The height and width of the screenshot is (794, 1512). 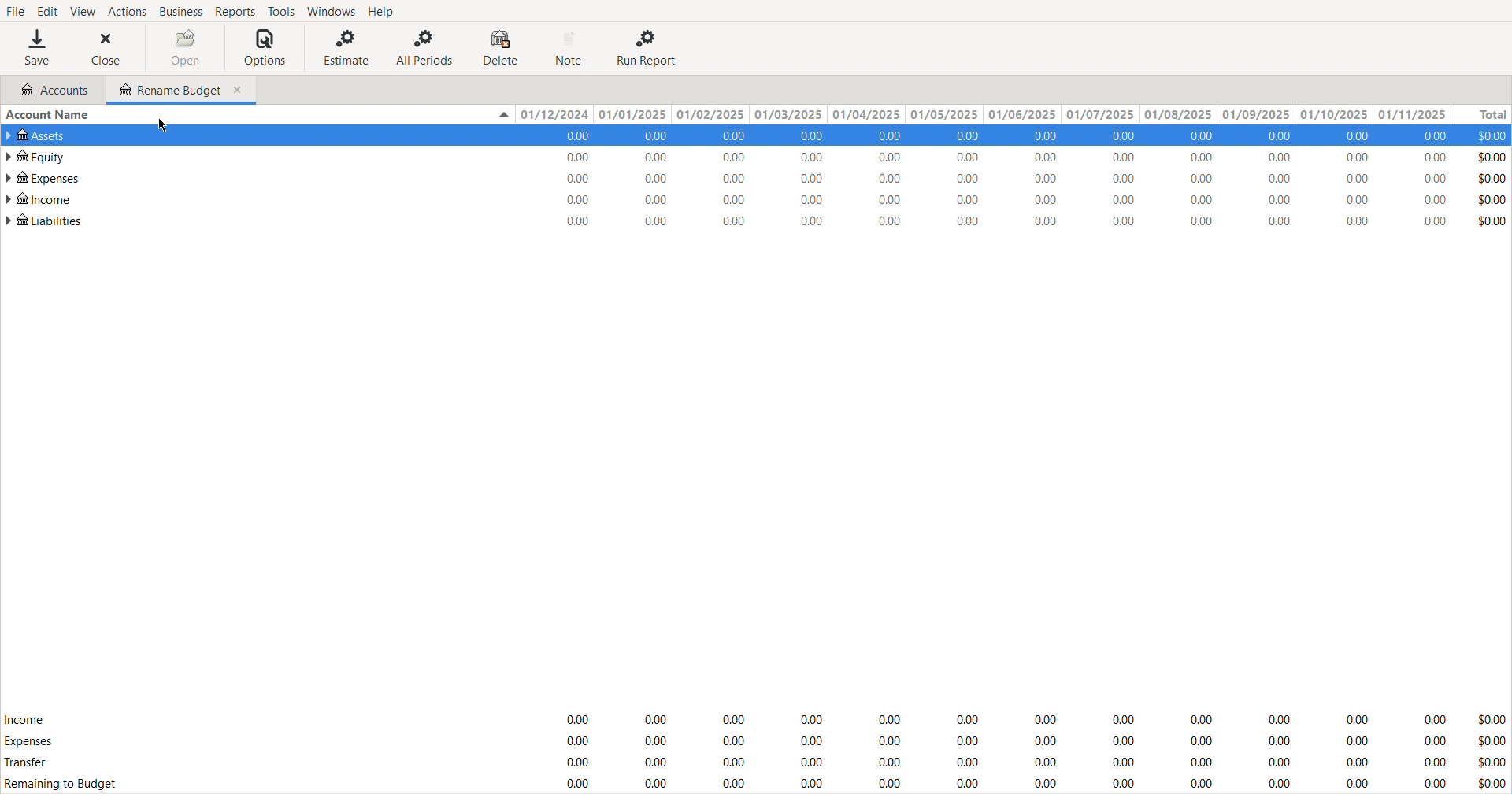 What do you see at coordinates (504, 48) in the screenshot?
I see `Delete` at bounding box center [504, 48].